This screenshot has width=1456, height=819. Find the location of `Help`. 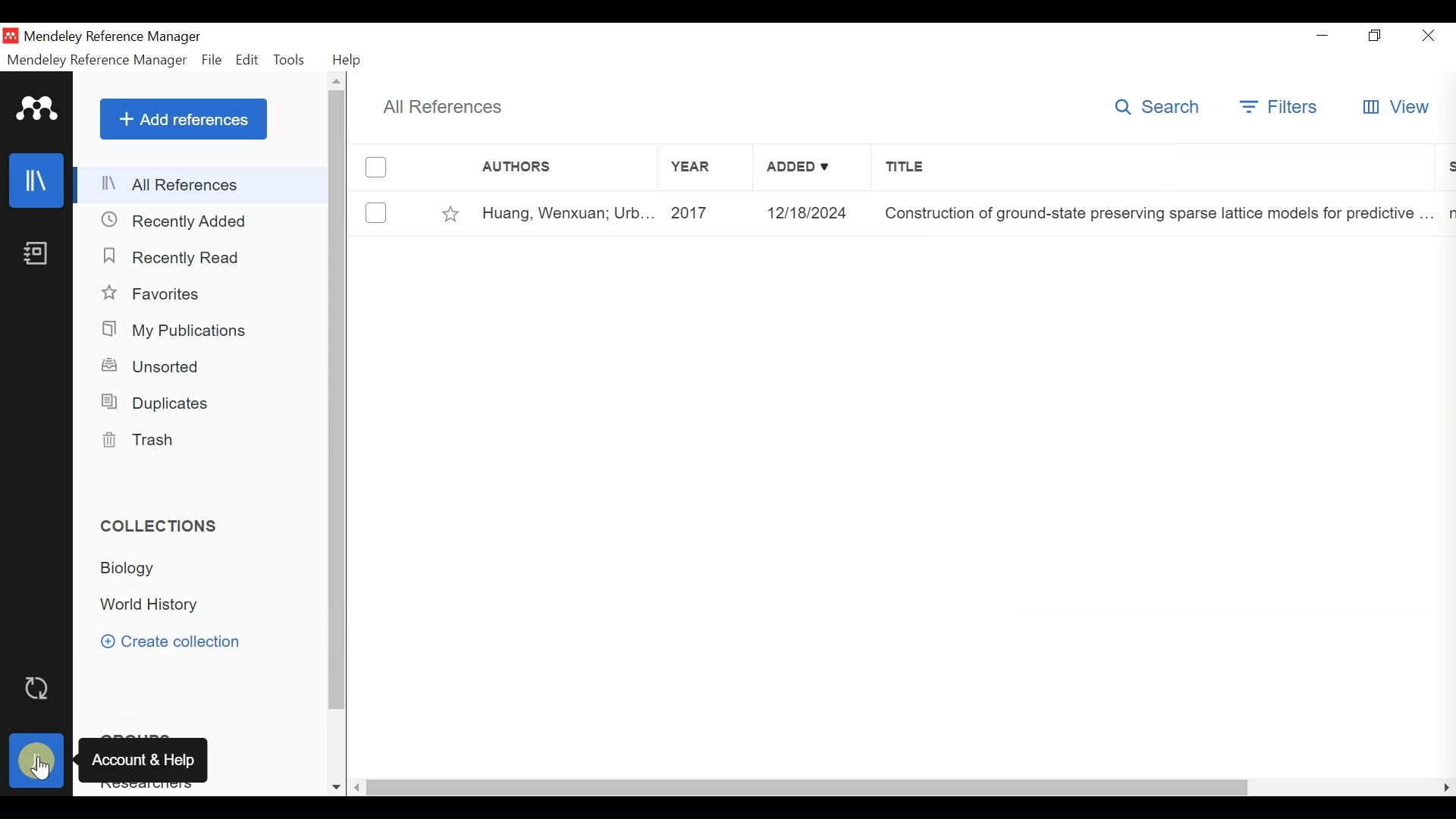

Help is located at coordinates (348, 60).